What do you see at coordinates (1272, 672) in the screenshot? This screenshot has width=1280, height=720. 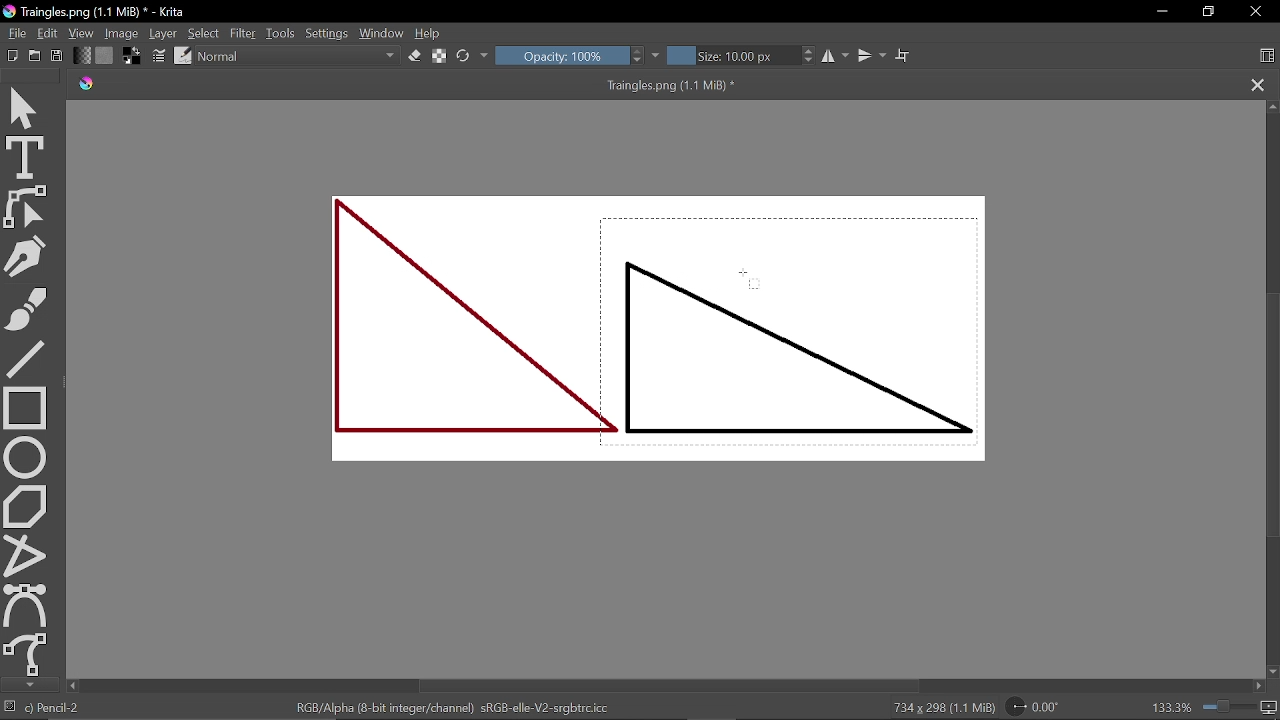 I see `Move down` at bounding box center [1272, 672].